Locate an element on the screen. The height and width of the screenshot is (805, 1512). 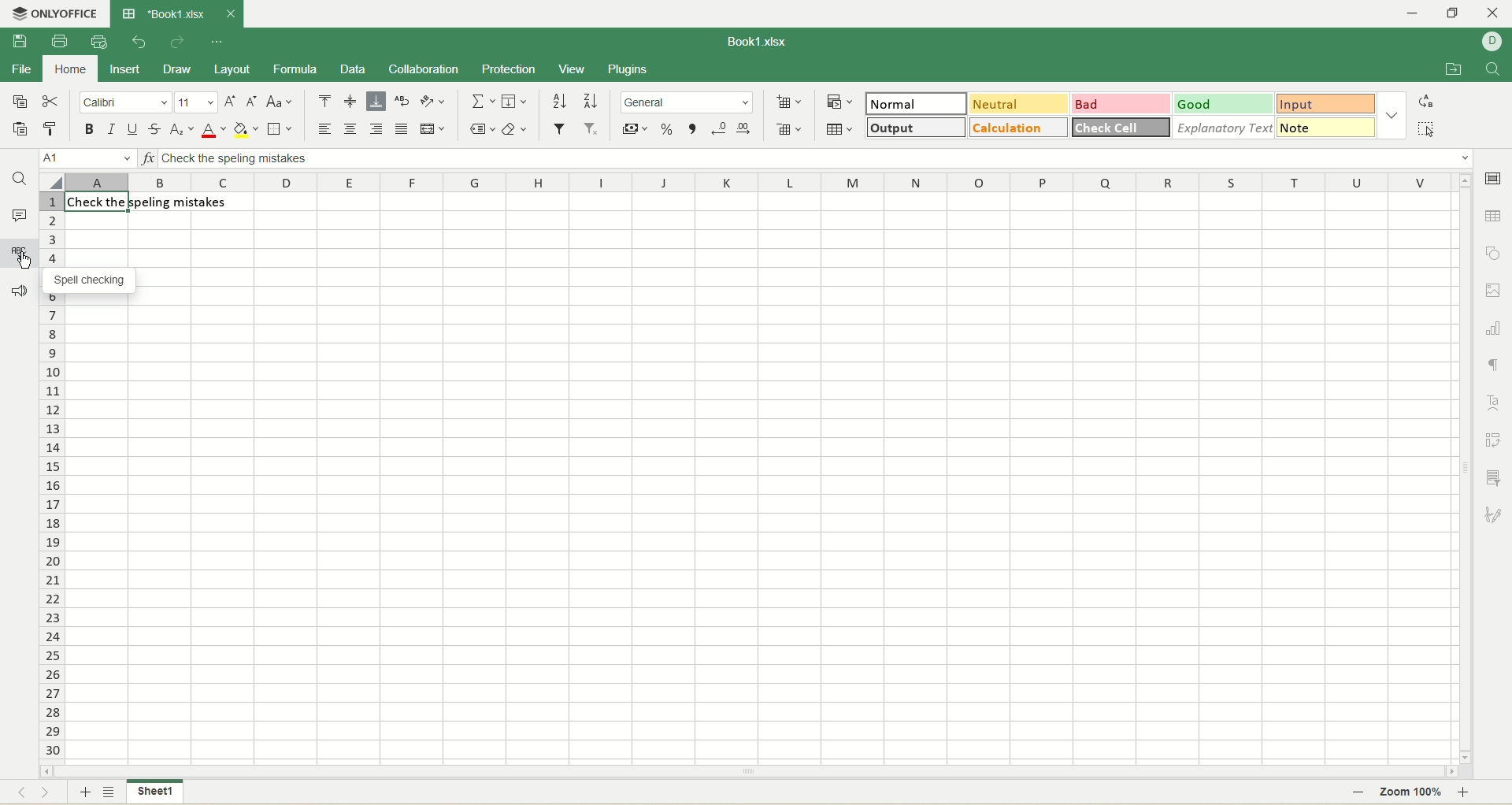
file is located at coordinates (23, 70).